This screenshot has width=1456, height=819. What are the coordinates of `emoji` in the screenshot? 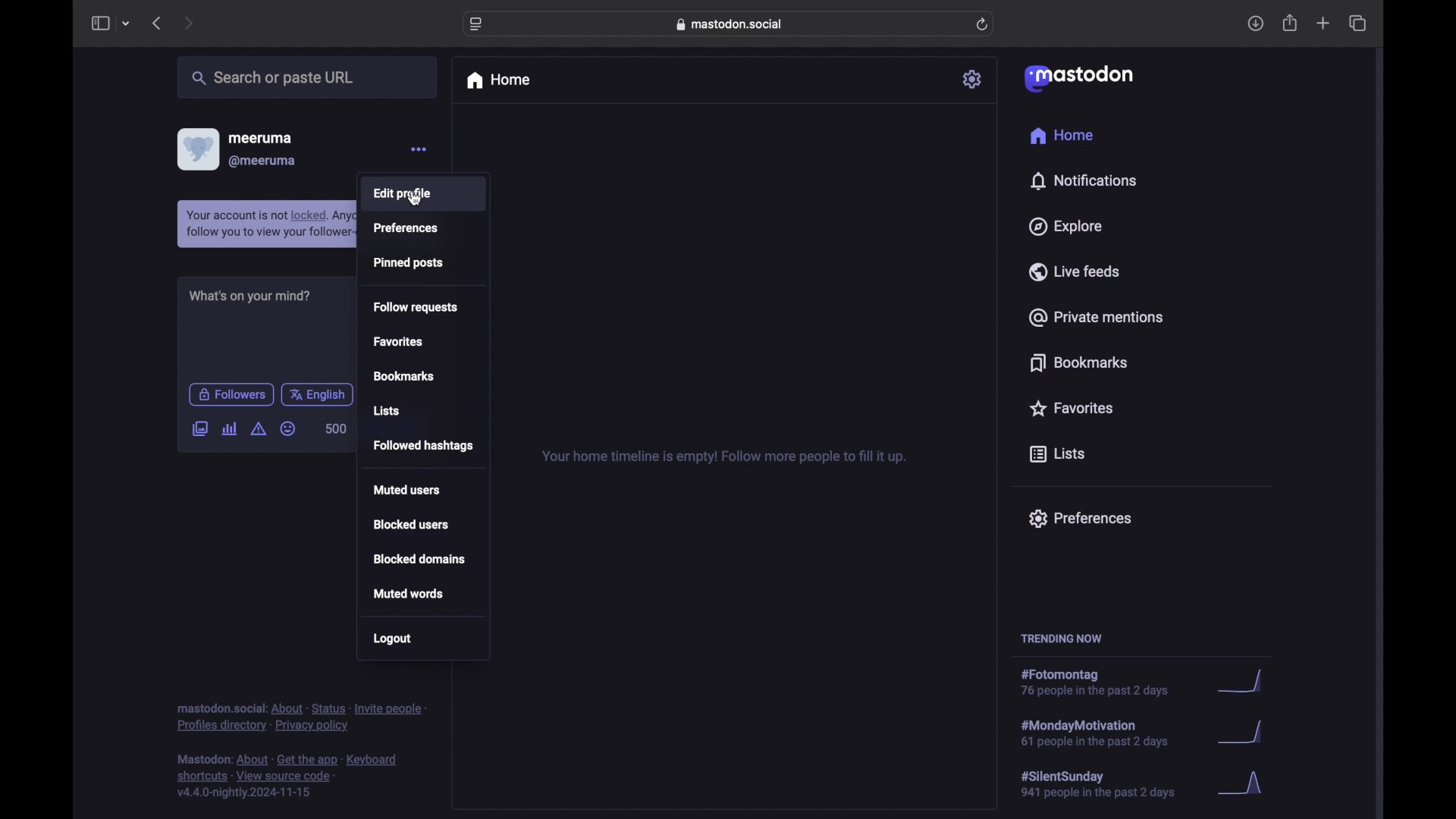 It's located at (288, 428).